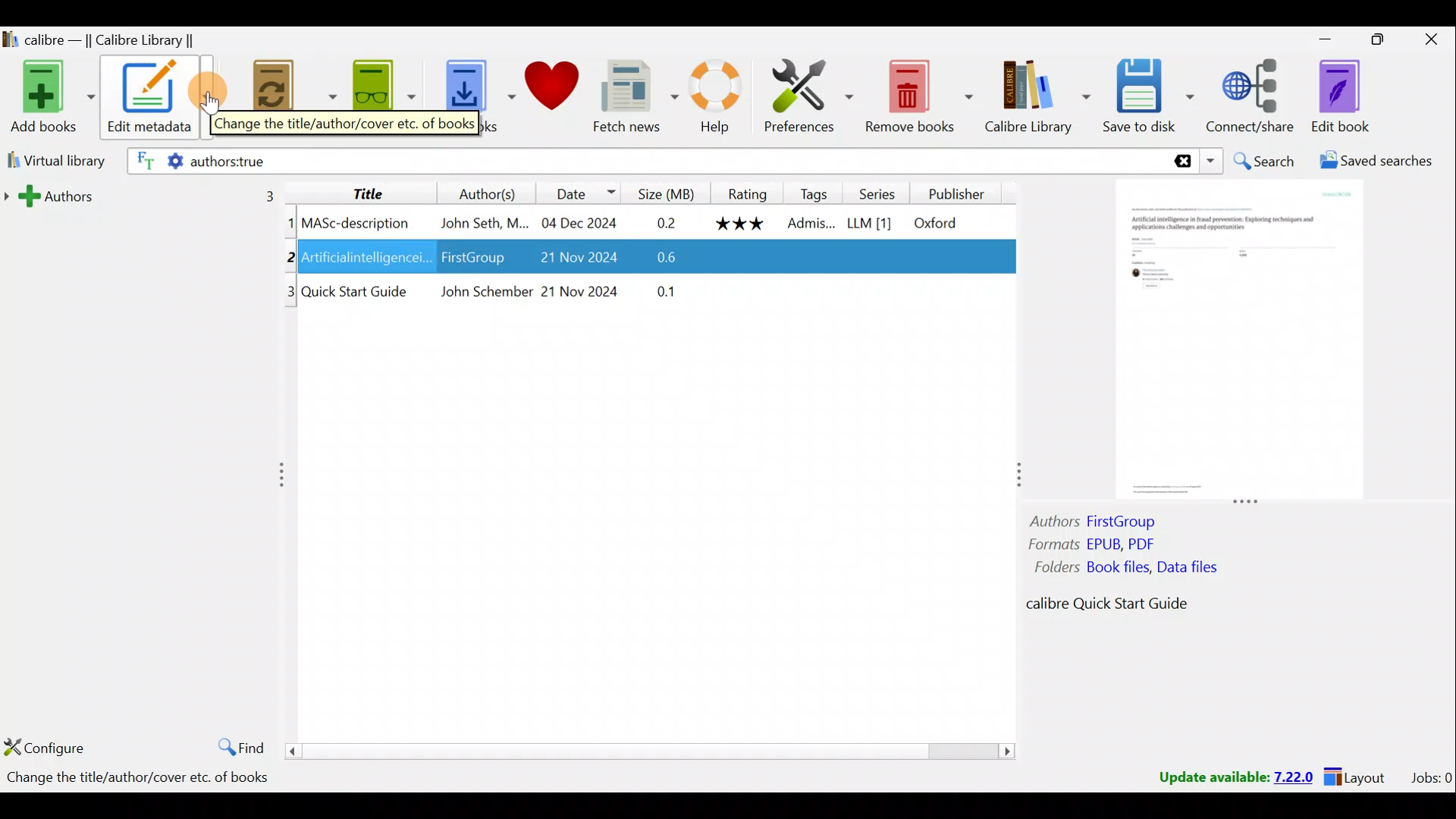 Image resolution: width=1456 pixels, height=819 pixels. What do you see at coordinates (240, 747) in the screenshot?
I see `Find` at bounding box center [240, 747].